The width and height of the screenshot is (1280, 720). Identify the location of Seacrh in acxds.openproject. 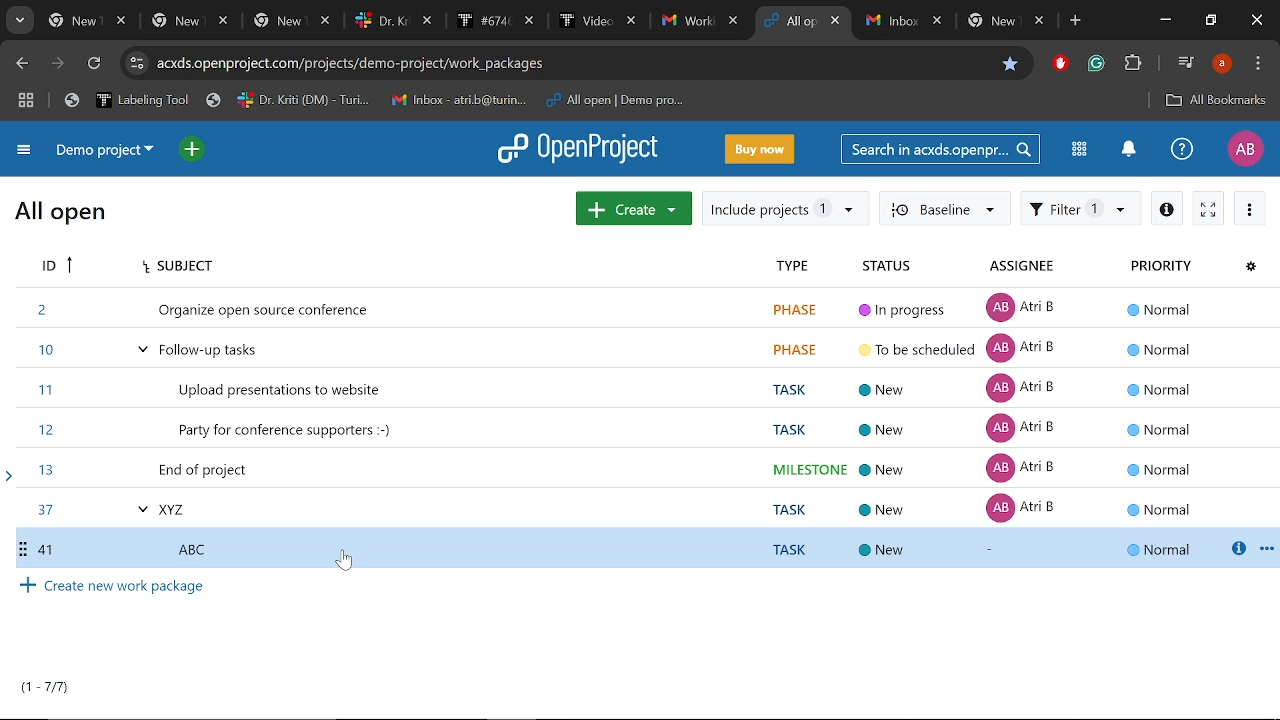
(942, 150).